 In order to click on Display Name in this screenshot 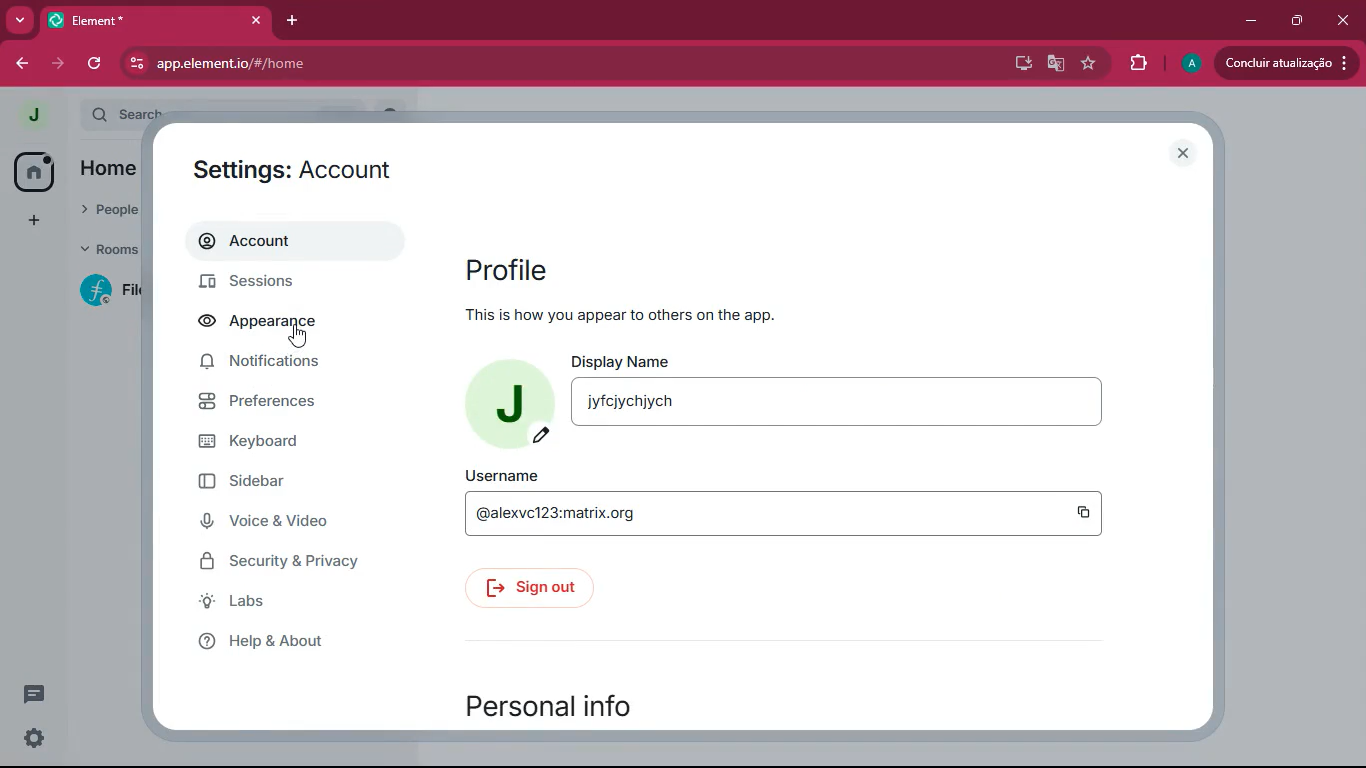, I will do `click(625, 361)`.